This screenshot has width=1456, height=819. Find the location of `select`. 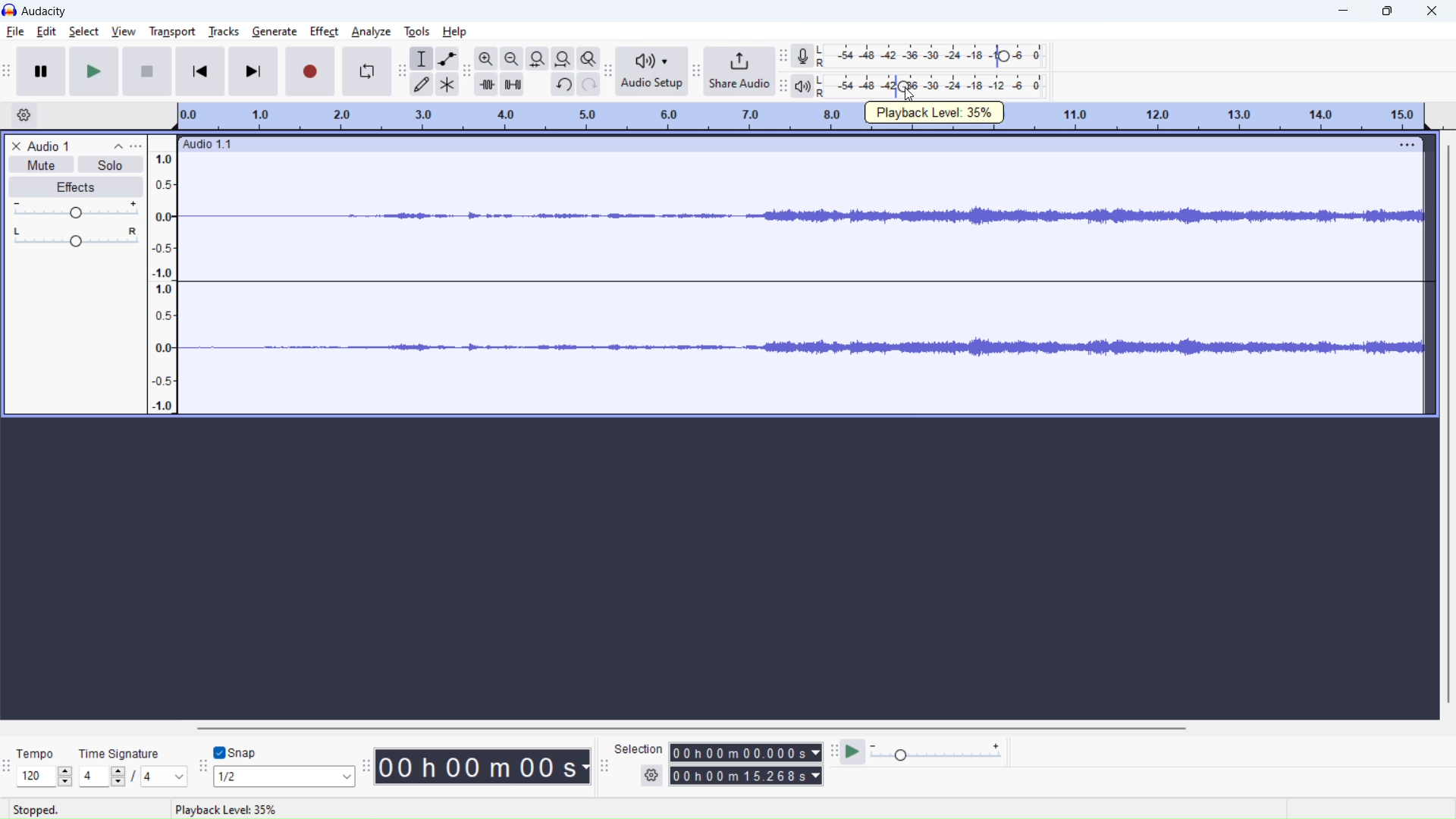

select is located at coordinates (84, 31).